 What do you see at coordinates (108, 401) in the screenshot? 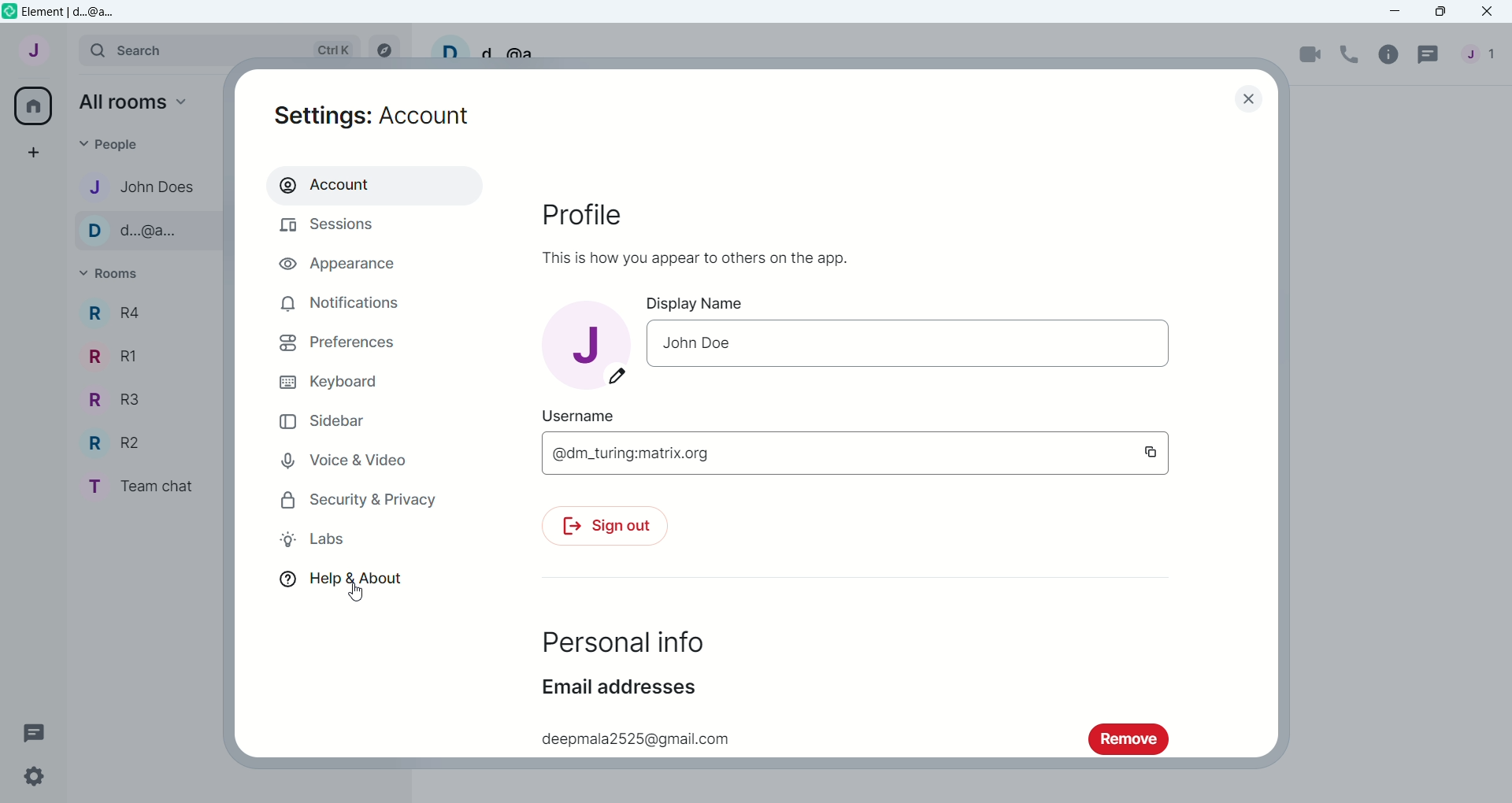
I see `Room R3` at bounding box center [108, 401].